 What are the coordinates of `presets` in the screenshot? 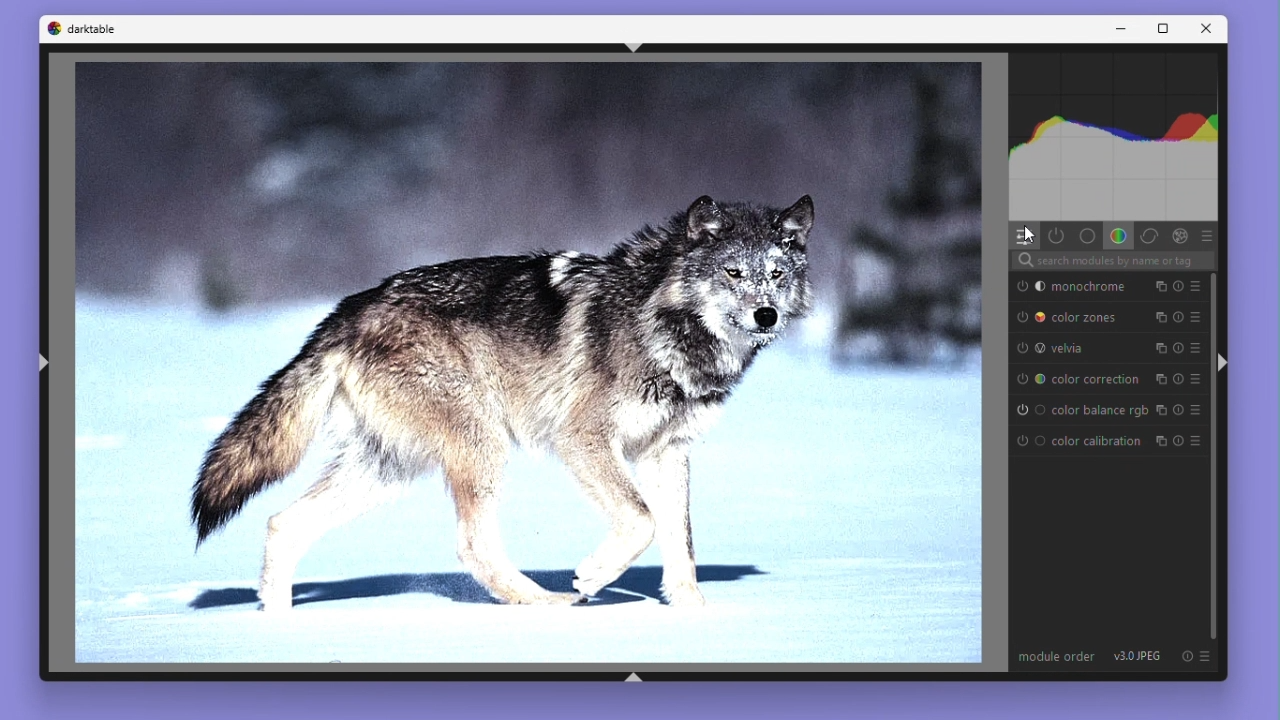 It's located at (1198, 348).